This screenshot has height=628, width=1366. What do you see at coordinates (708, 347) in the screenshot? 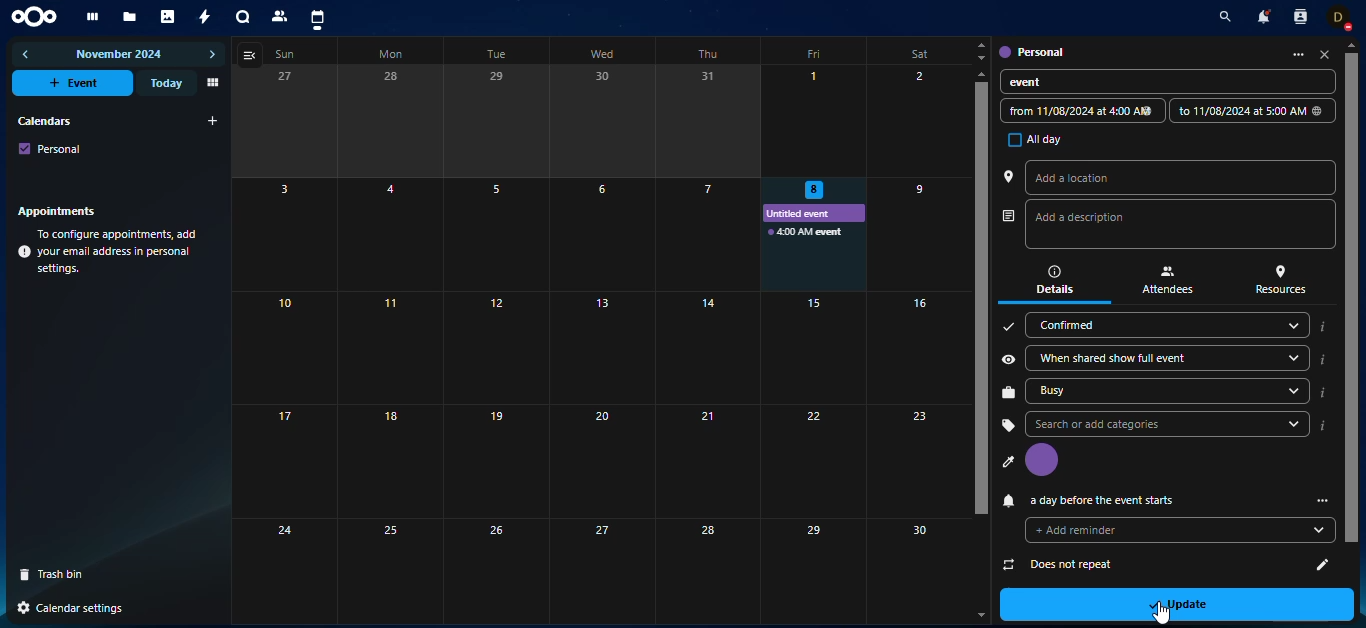
I see `14` at bounding box center [708, 347].